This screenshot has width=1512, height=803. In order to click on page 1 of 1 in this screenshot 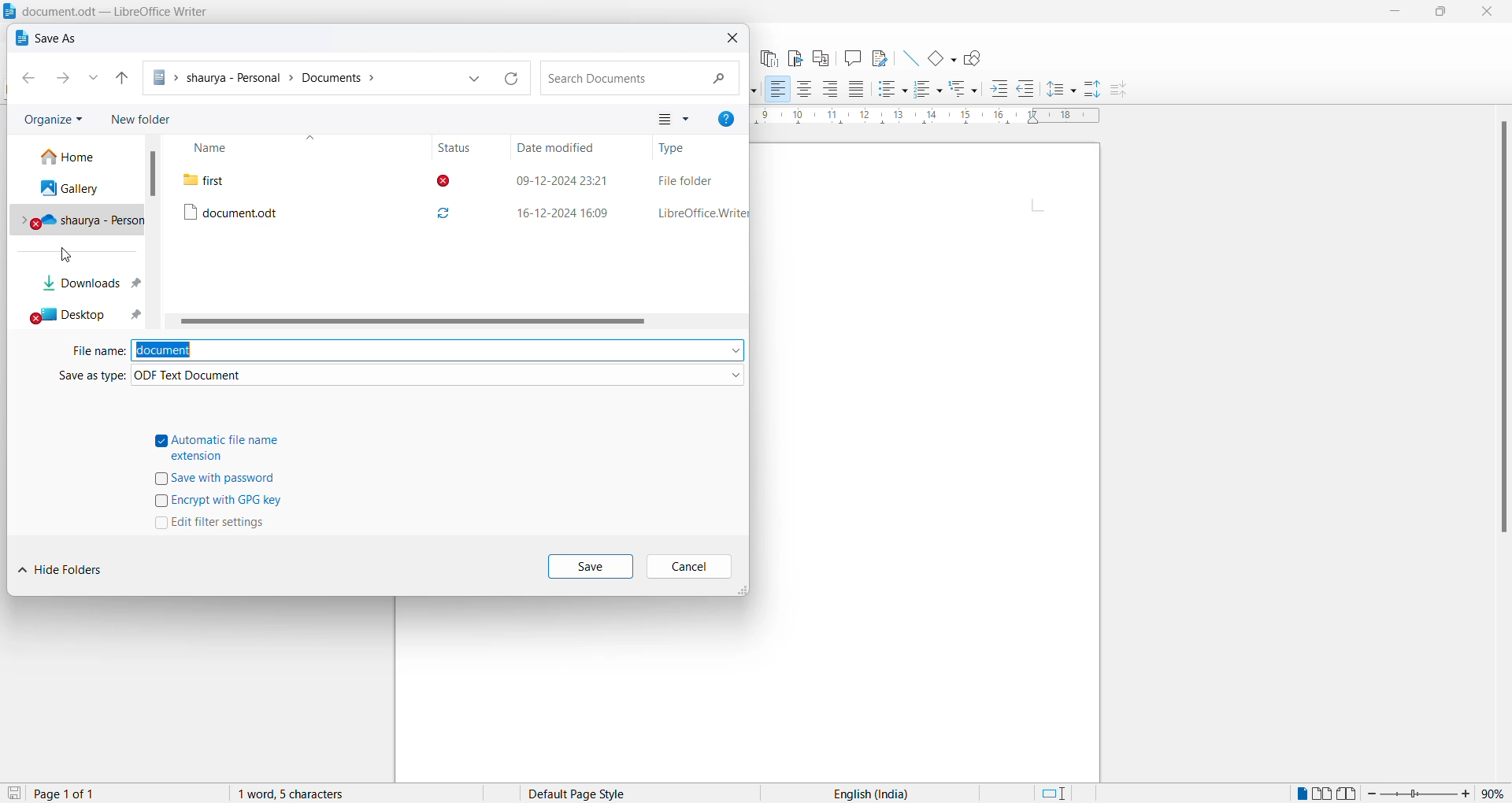, I will do `click(65, 794)`.